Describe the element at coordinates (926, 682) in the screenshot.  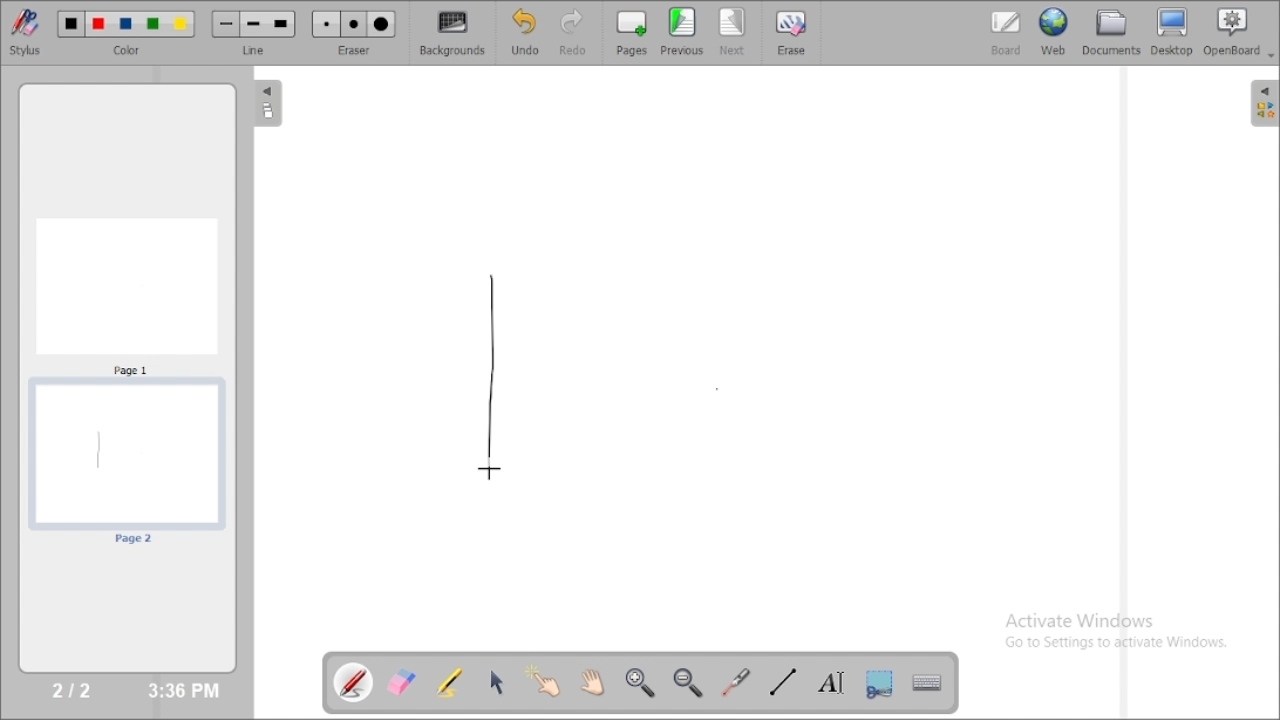
I see `display virtual keyboard` at that location.